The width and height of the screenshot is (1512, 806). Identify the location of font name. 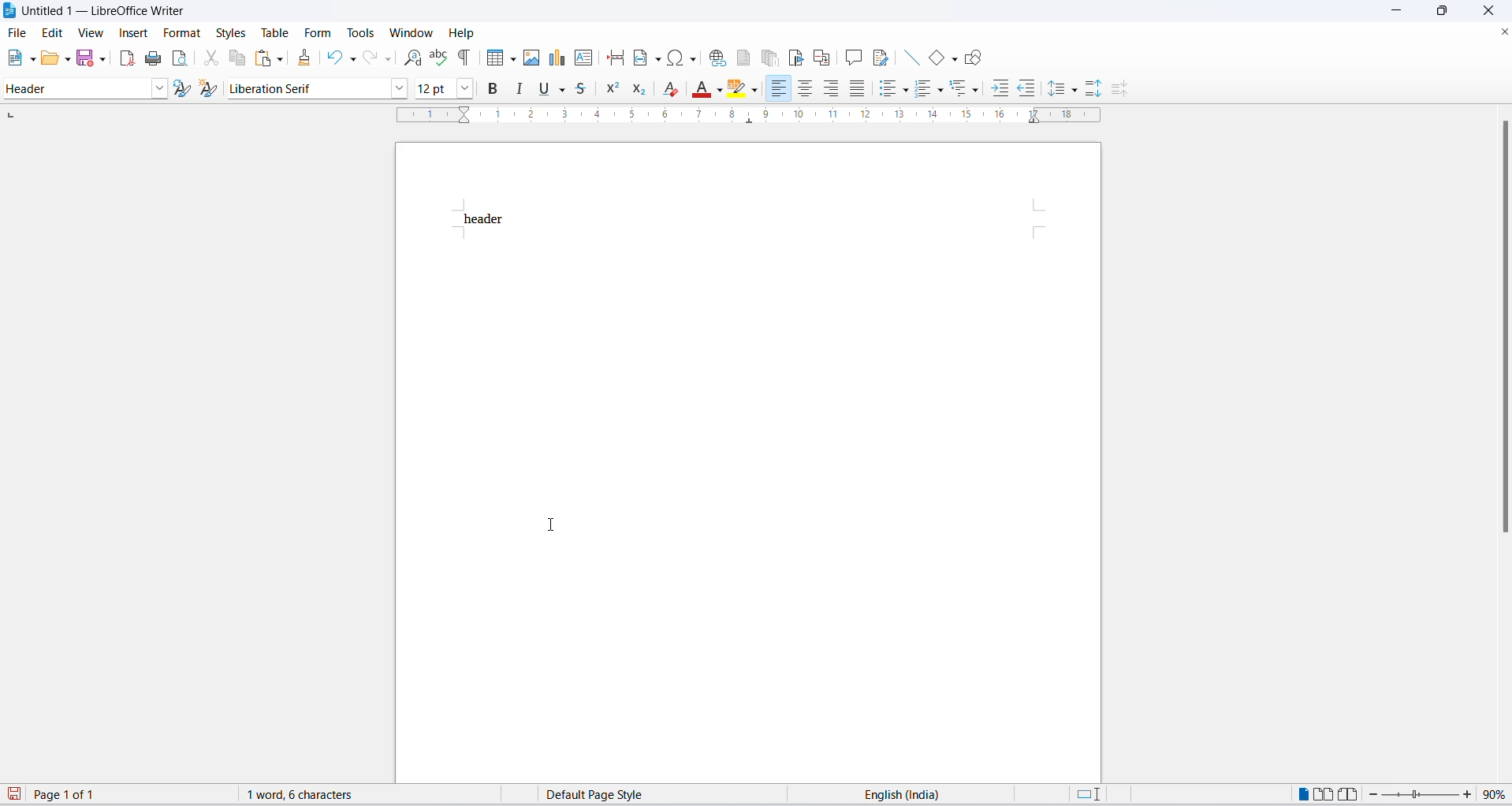
(307, 88).